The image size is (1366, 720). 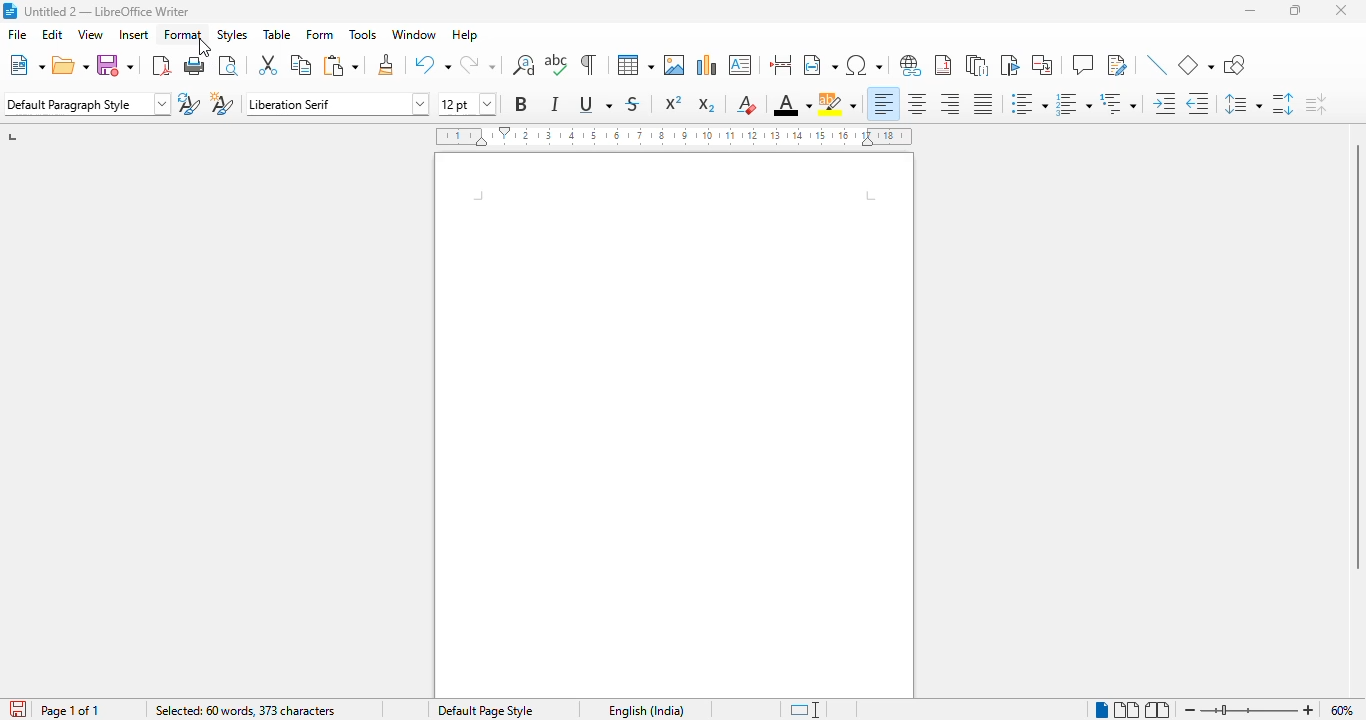 I want to click on font color, so click(x=792, y=106).